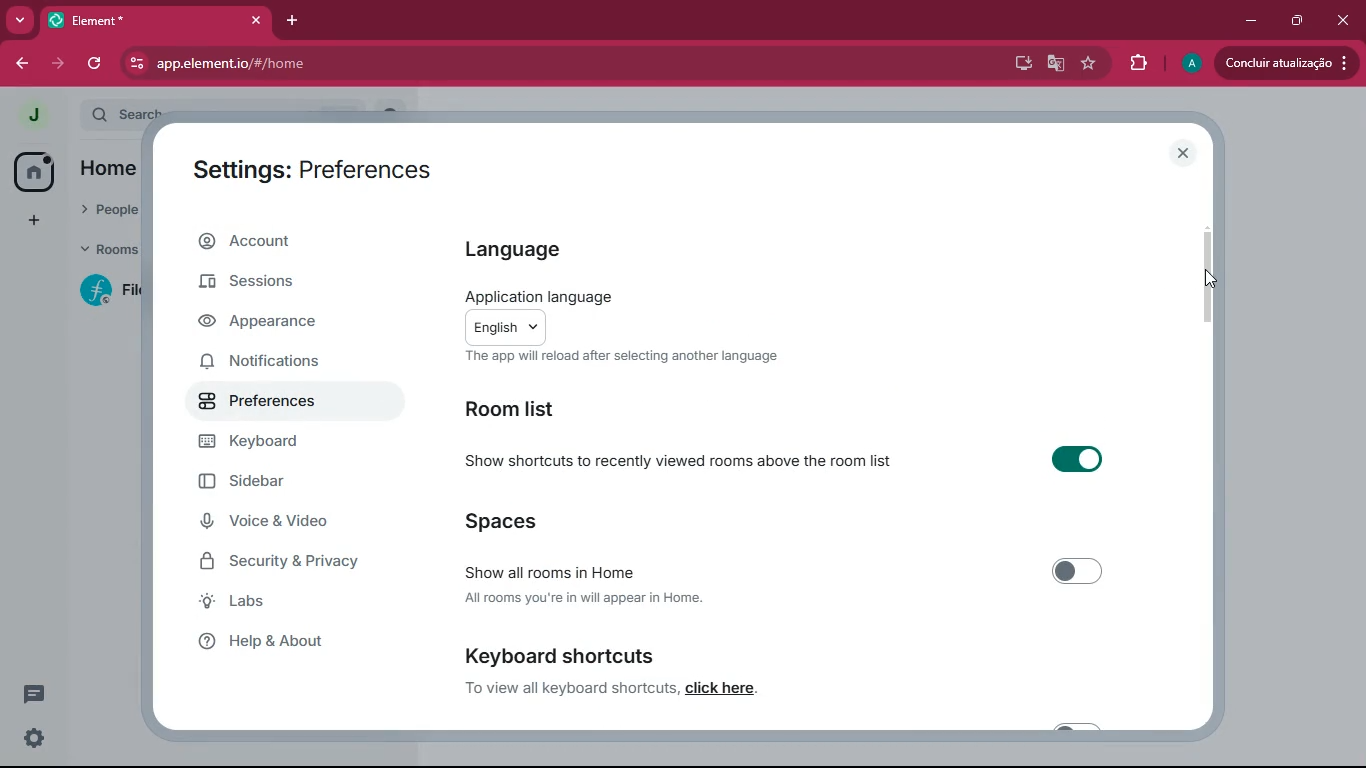  I want to click on forward, so click(58, 62).